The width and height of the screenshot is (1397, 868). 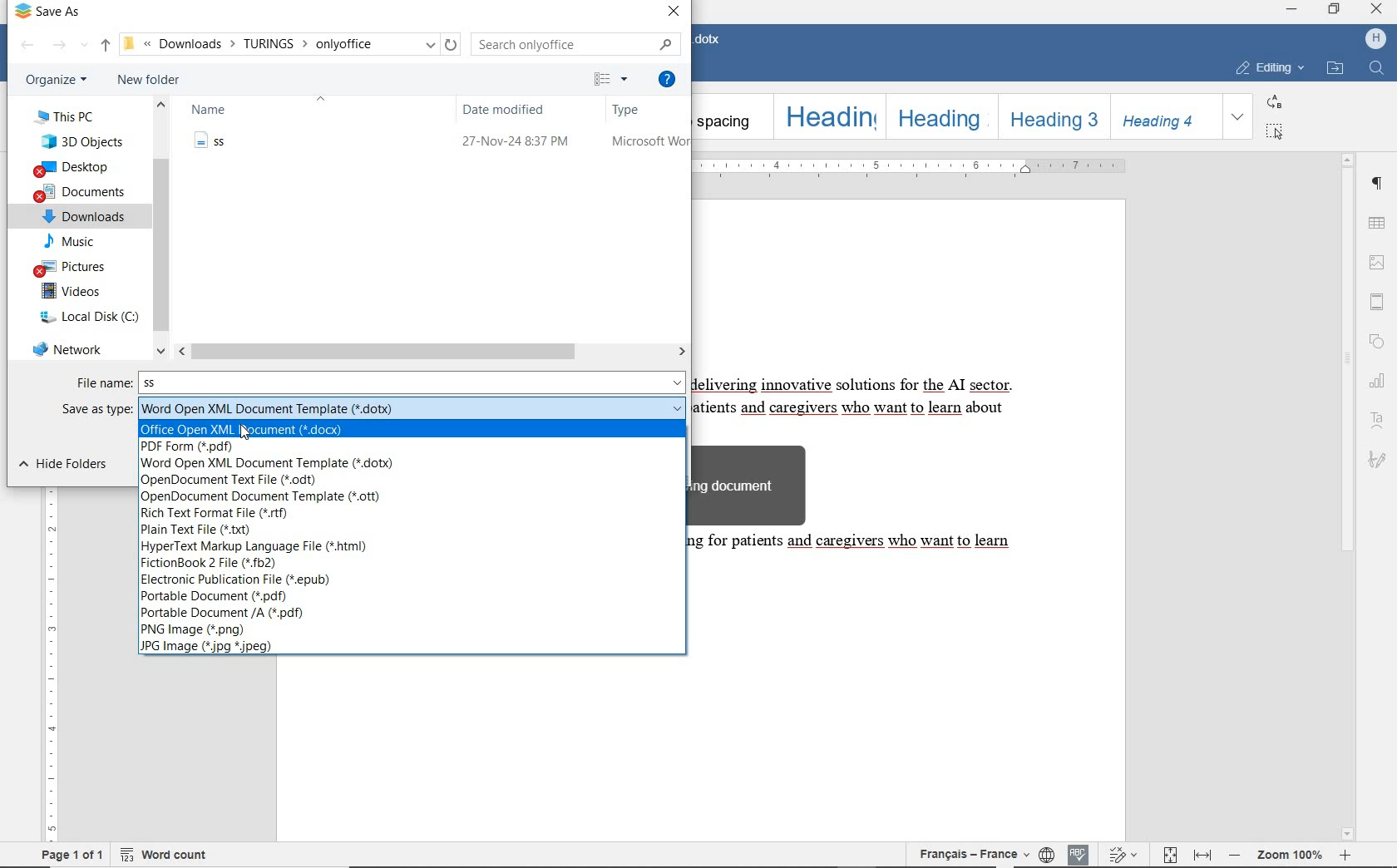 What do you see at coordinates (1380, 342) in the screenshot?
I see `SHAPE` at bounding box center [1380, 342].